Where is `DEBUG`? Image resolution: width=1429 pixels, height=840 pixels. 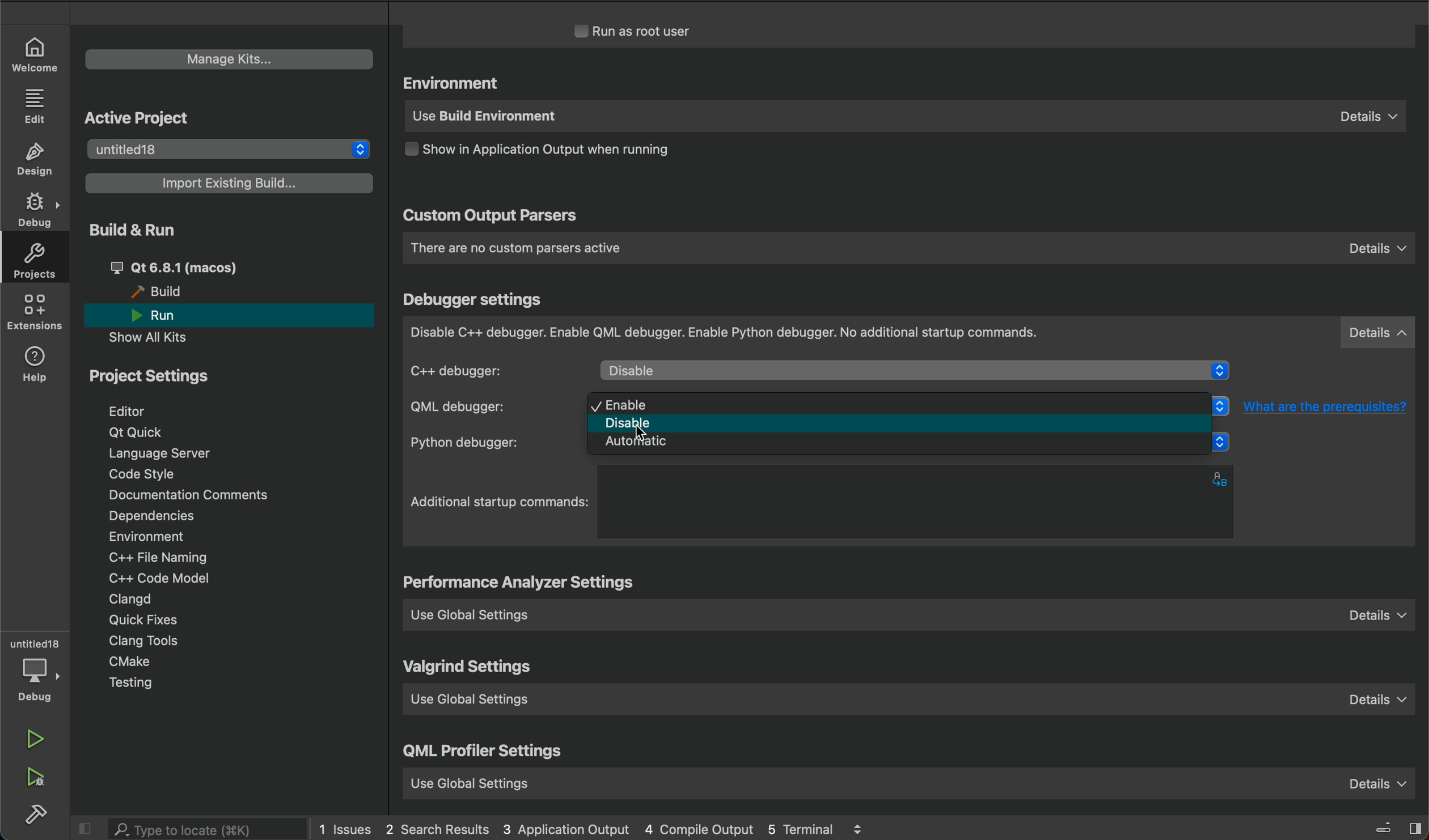
DEBUG is located at coordinates (37, 211).